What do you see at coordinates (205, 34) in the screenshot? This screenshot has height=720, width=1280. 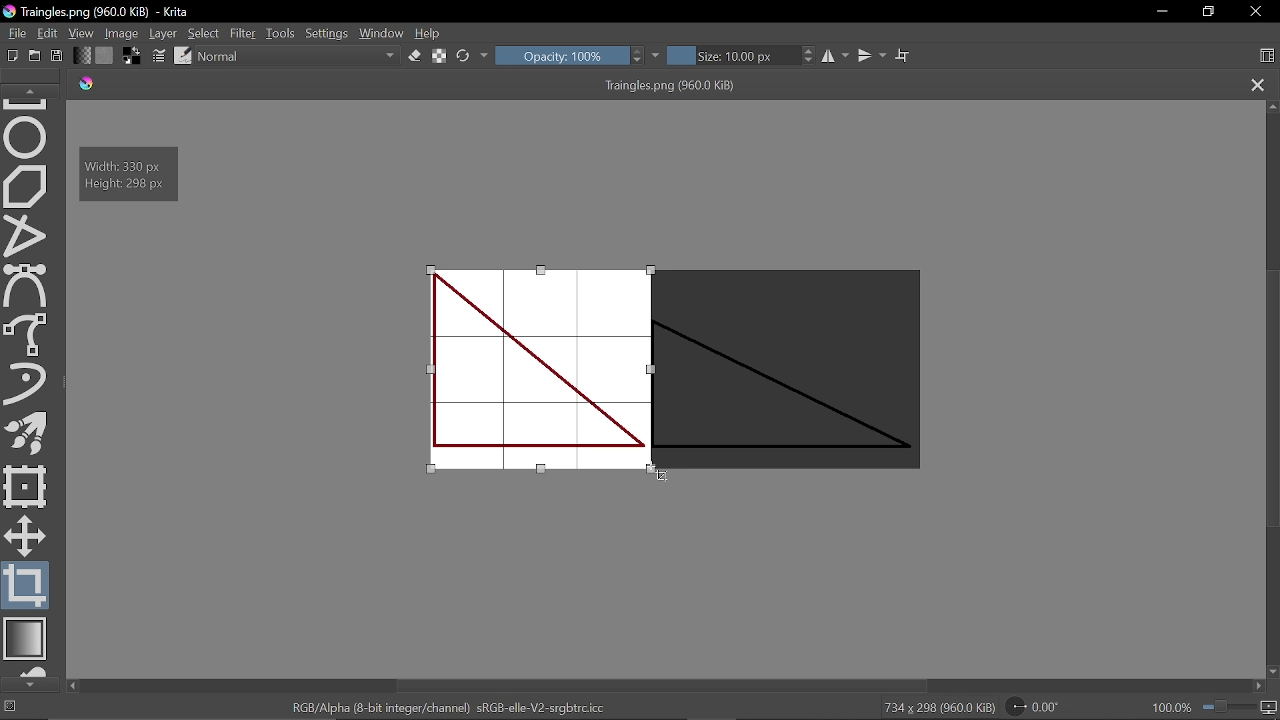 I see `Select` at bounding box center [205, 34].